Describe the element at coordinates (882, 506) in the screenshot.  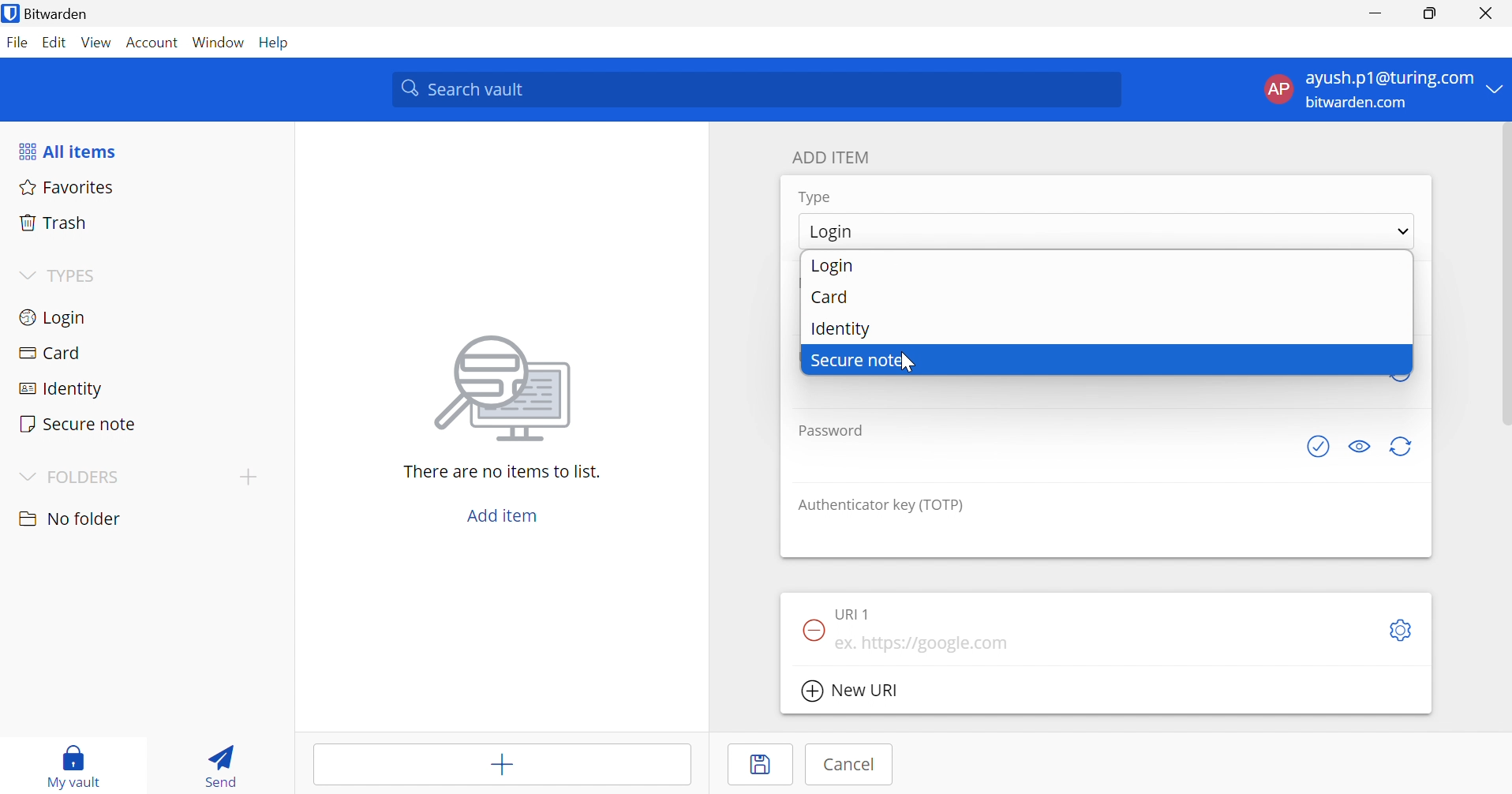
I see `Authenticator (TOTP)` at that location.